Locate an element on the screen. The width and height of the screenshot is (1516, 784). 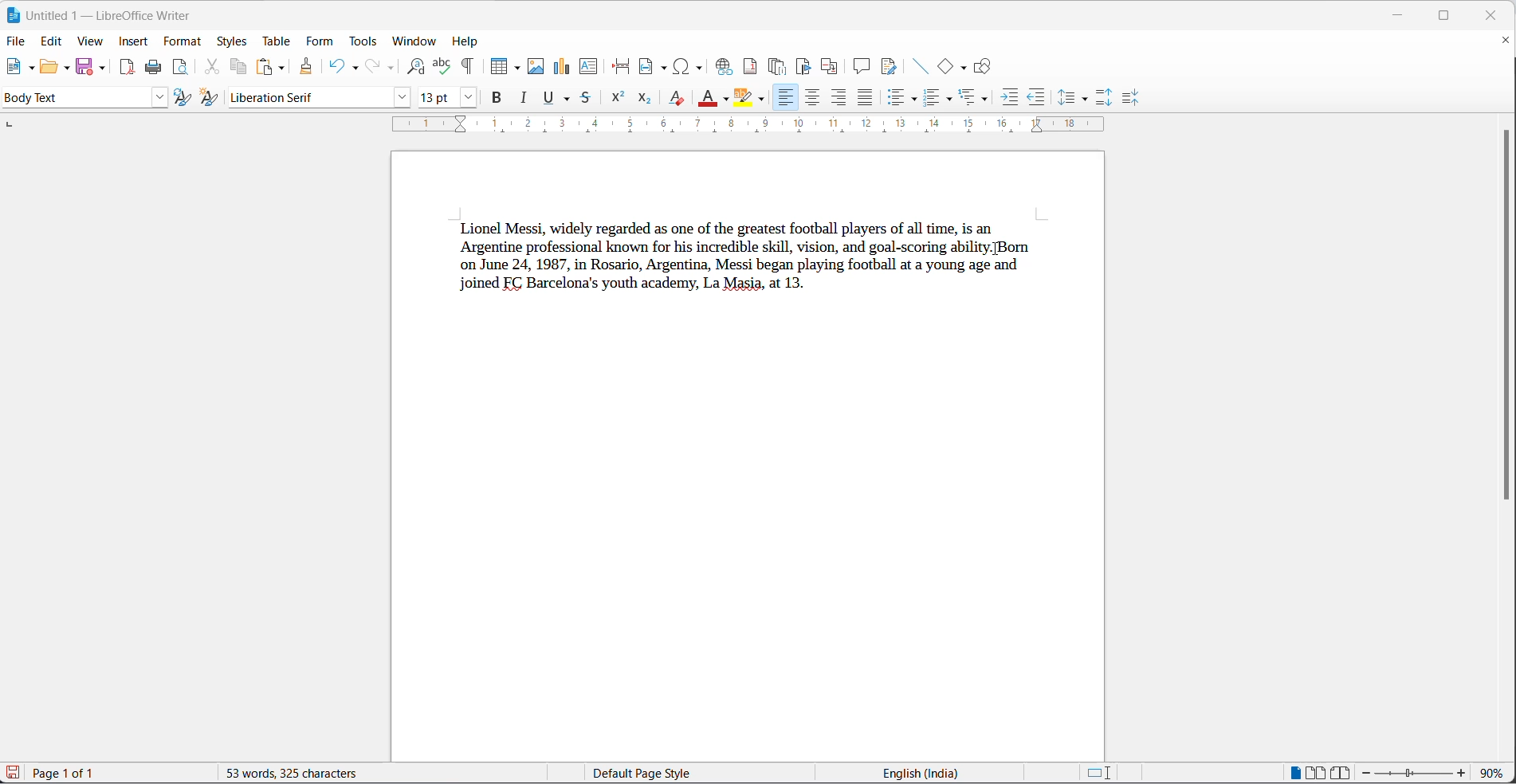
page break is located at coordinates (621, 67).